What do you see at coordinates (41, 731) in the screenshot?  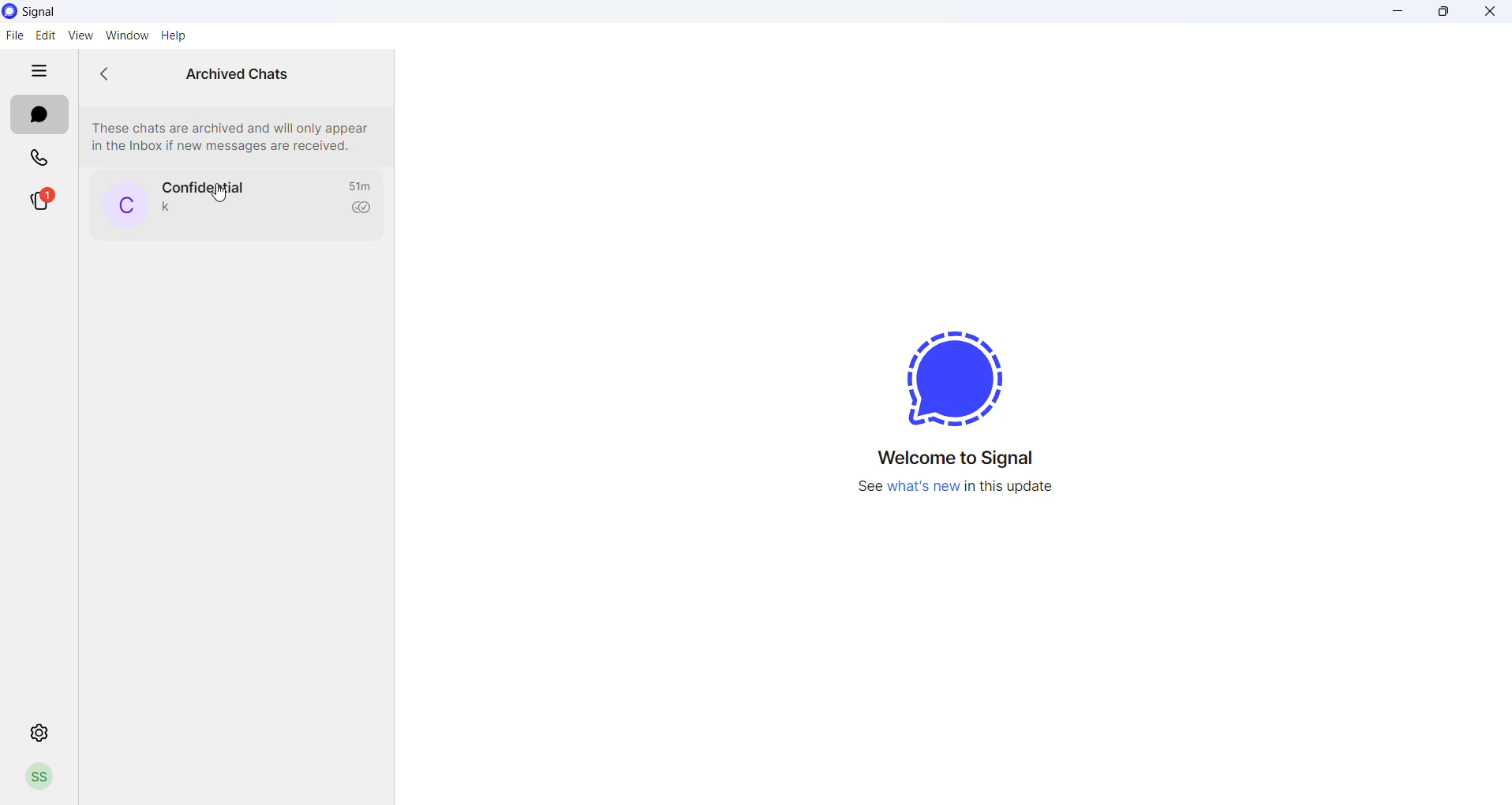 I see `settings` at bounding box center [41, 731].